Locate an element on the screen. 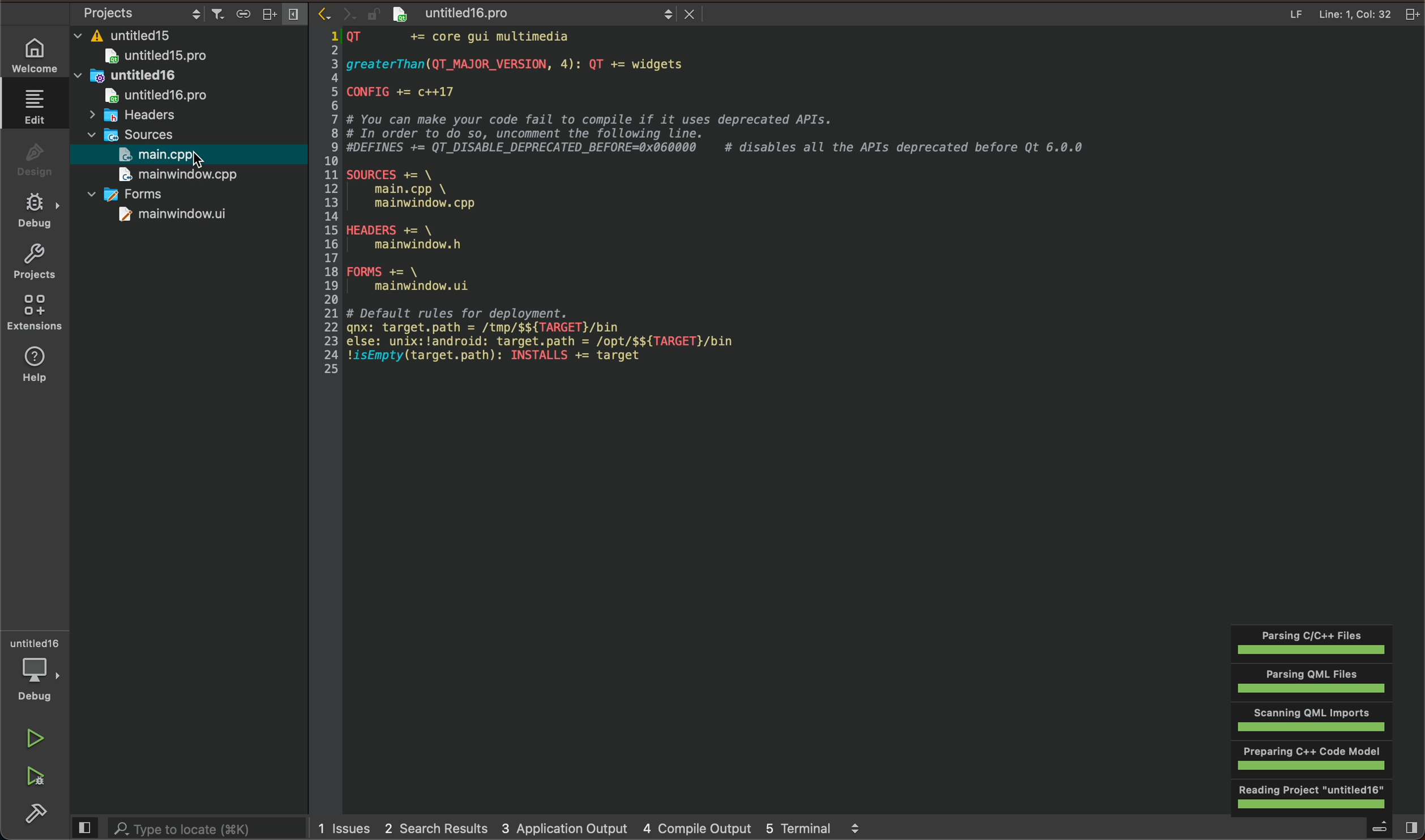 The height and width of the screenshot is (840, 1425). files and folders is located at coordinates (196, 33).